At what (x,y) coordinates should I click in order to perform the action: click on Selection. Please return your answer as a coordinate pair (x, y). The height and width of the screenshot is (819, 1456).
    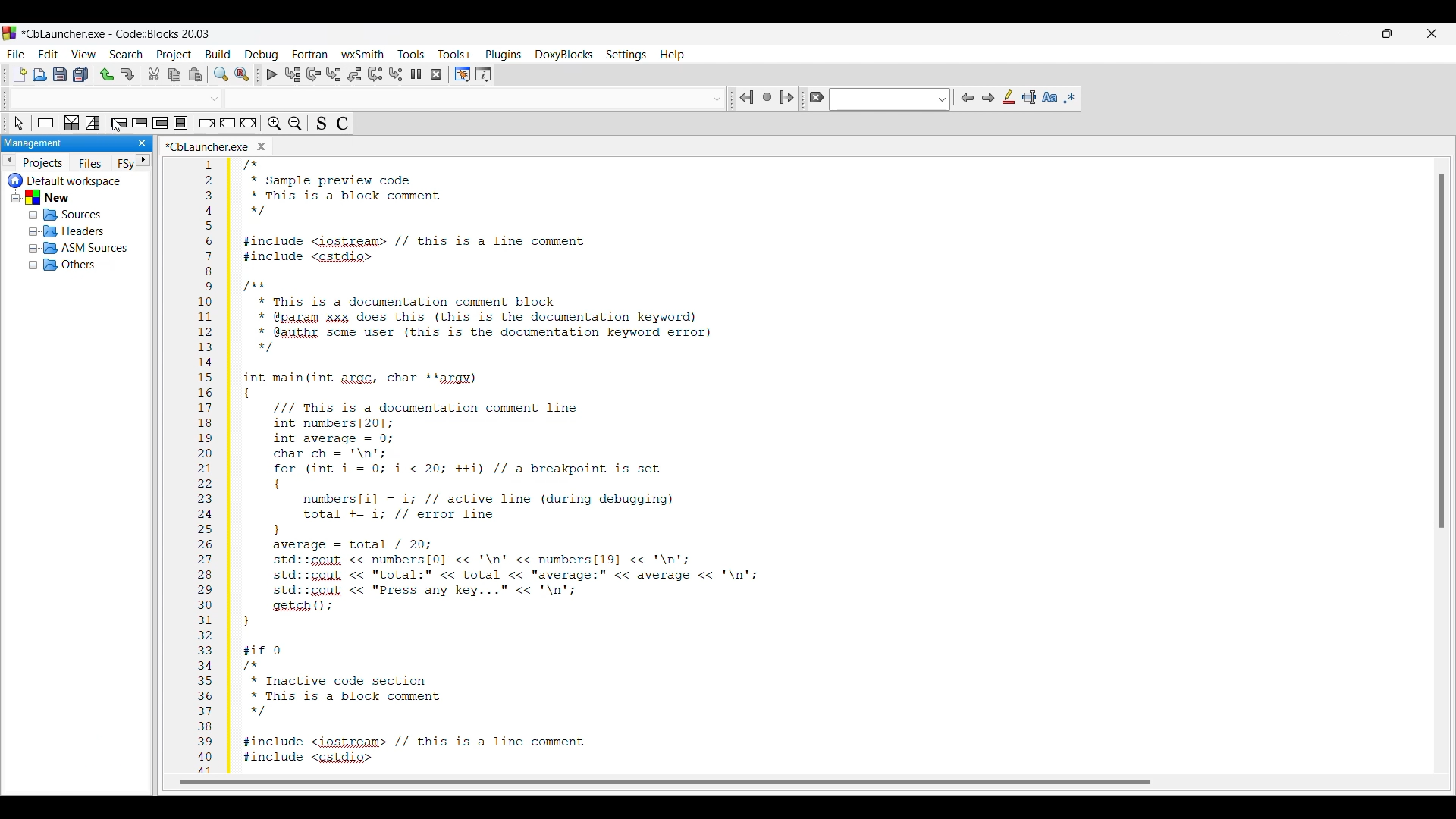
    Looking at the image, I should click on (93, 123).